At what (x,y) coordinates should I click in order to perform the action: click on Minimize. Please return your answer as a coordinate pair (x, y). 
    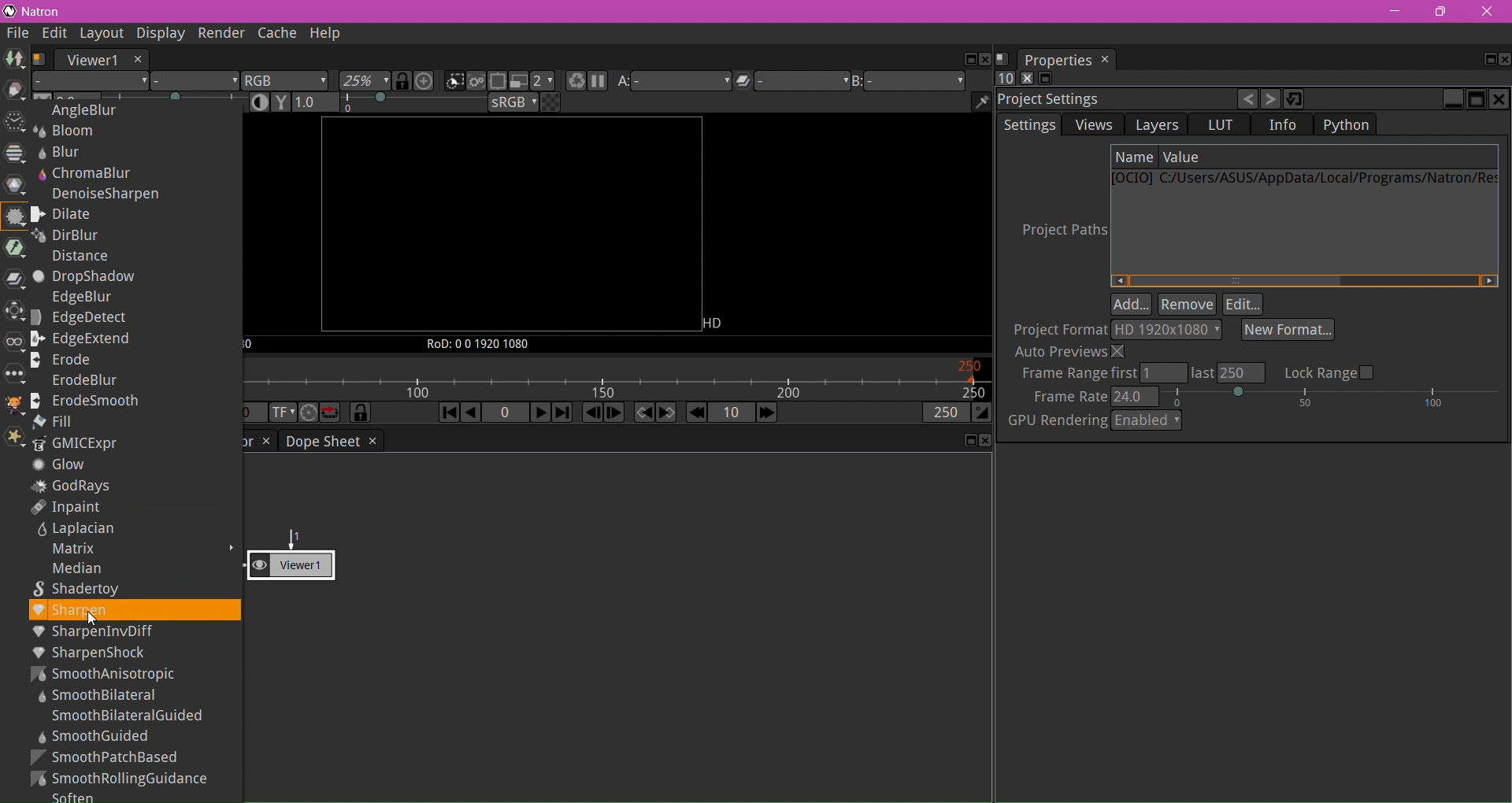
    Looking at the image, I should click on (1395, 11).